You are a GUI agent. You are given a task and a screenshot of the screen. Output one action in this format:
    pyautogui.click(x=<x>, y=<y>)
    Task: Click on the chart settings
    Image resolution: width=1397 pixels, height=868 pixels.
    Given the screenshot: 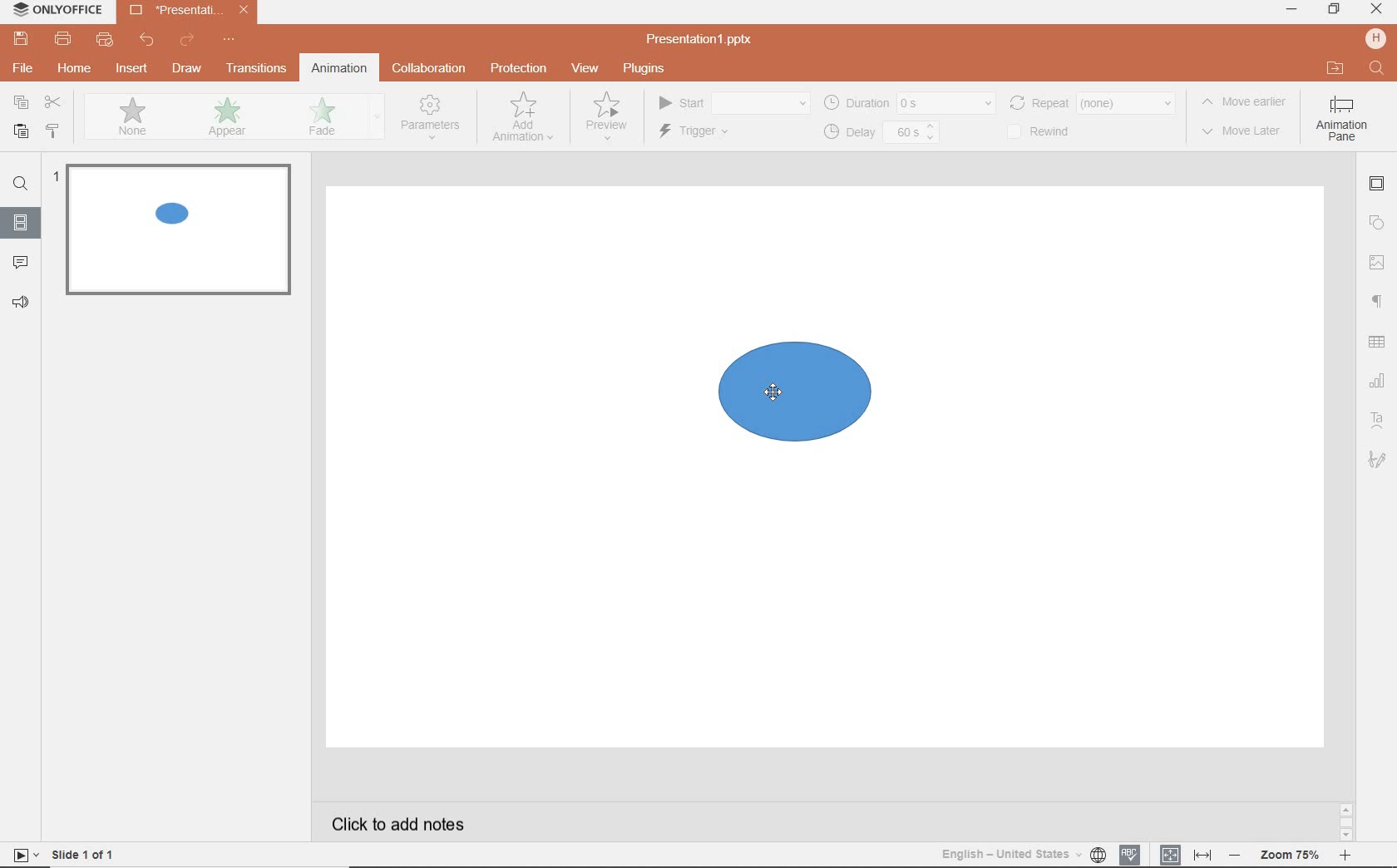 What is the action you would take?
    pyautogui.click(x=1377, y=382)
    